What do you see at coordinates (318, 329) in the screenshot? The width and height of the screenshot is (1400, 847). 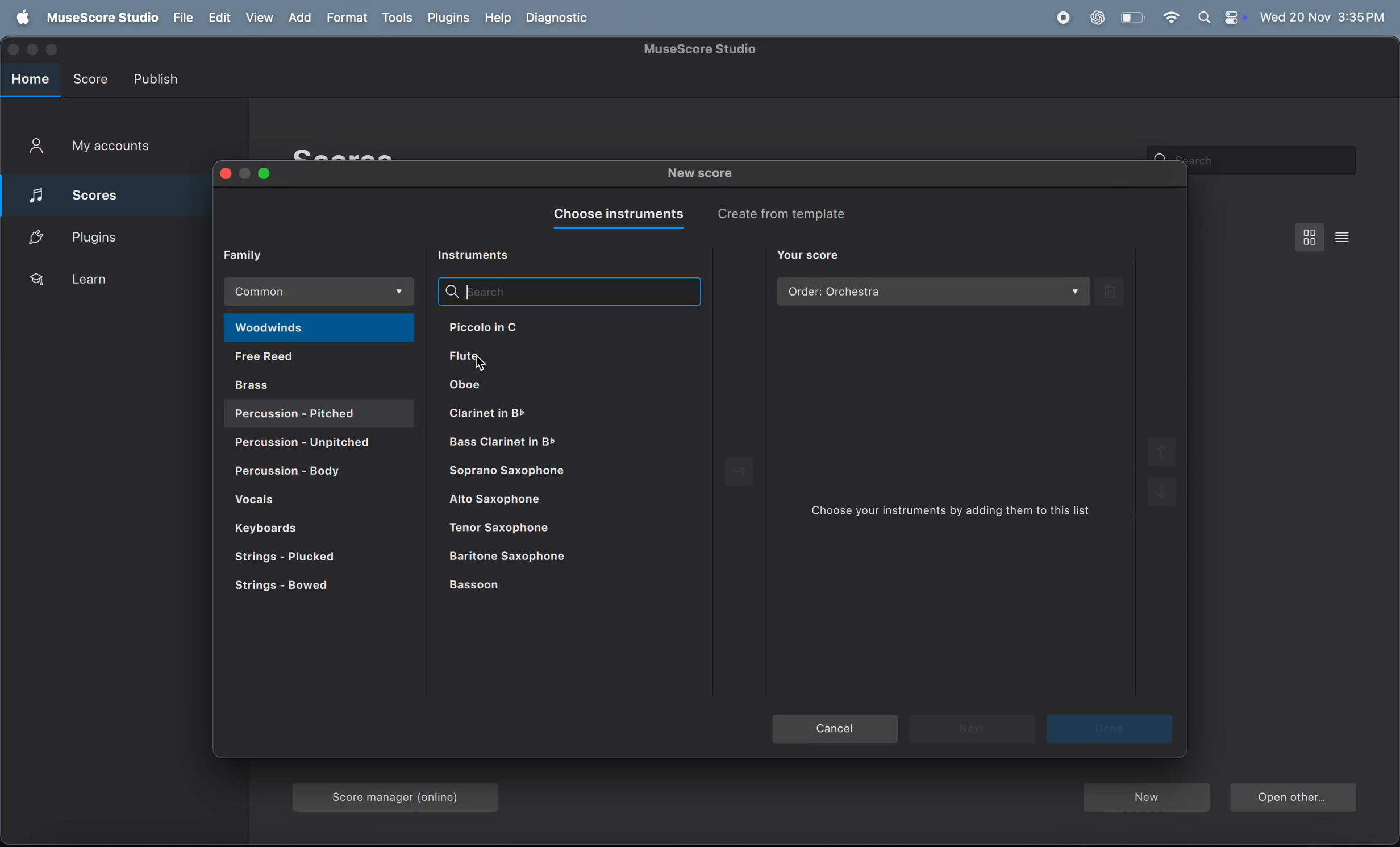 I see `woodwinds` at bounding box center [318, 329].